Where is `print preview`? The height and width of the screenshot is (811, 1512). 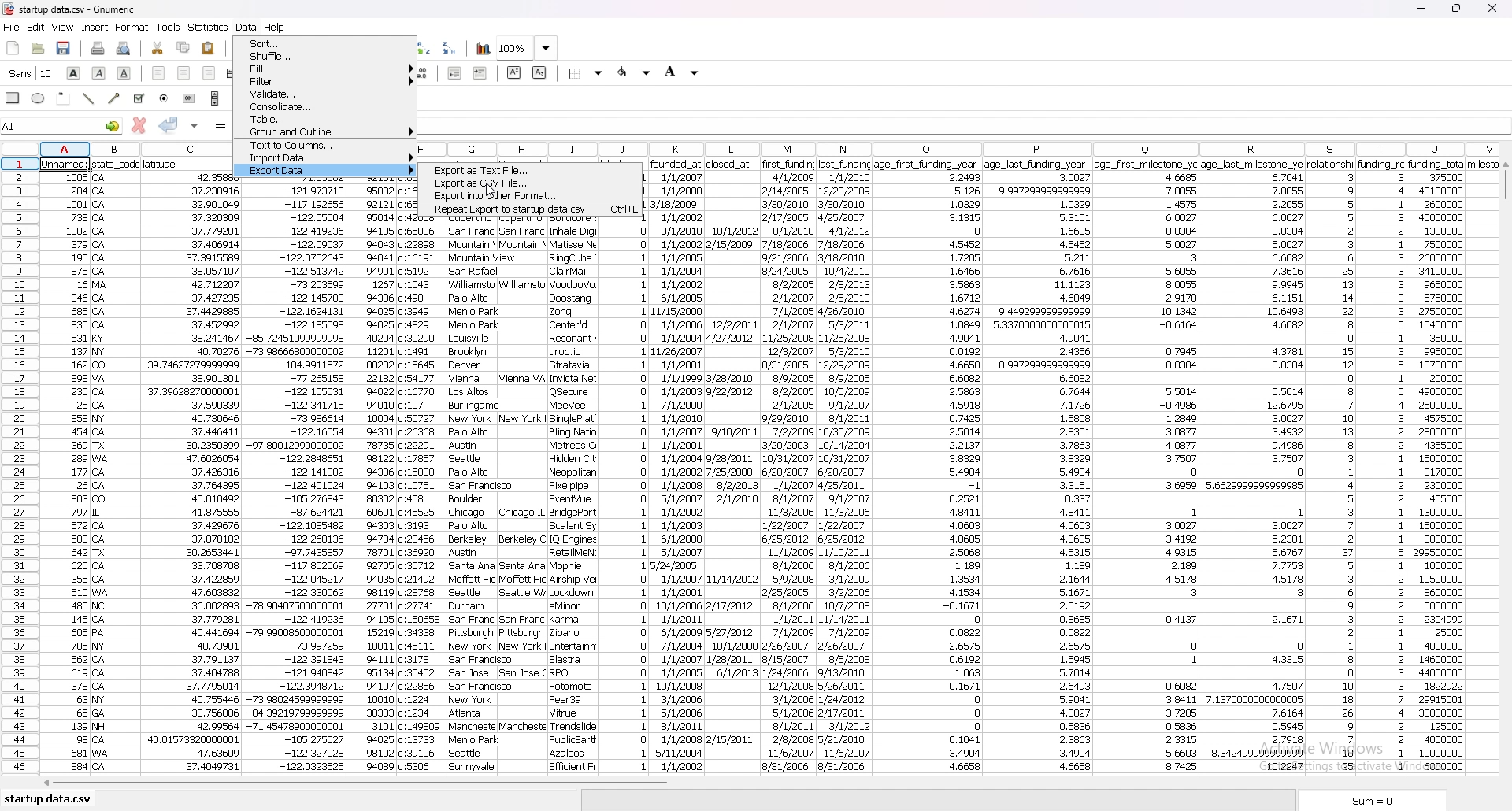 print preview is located at coordinates (124, 49).